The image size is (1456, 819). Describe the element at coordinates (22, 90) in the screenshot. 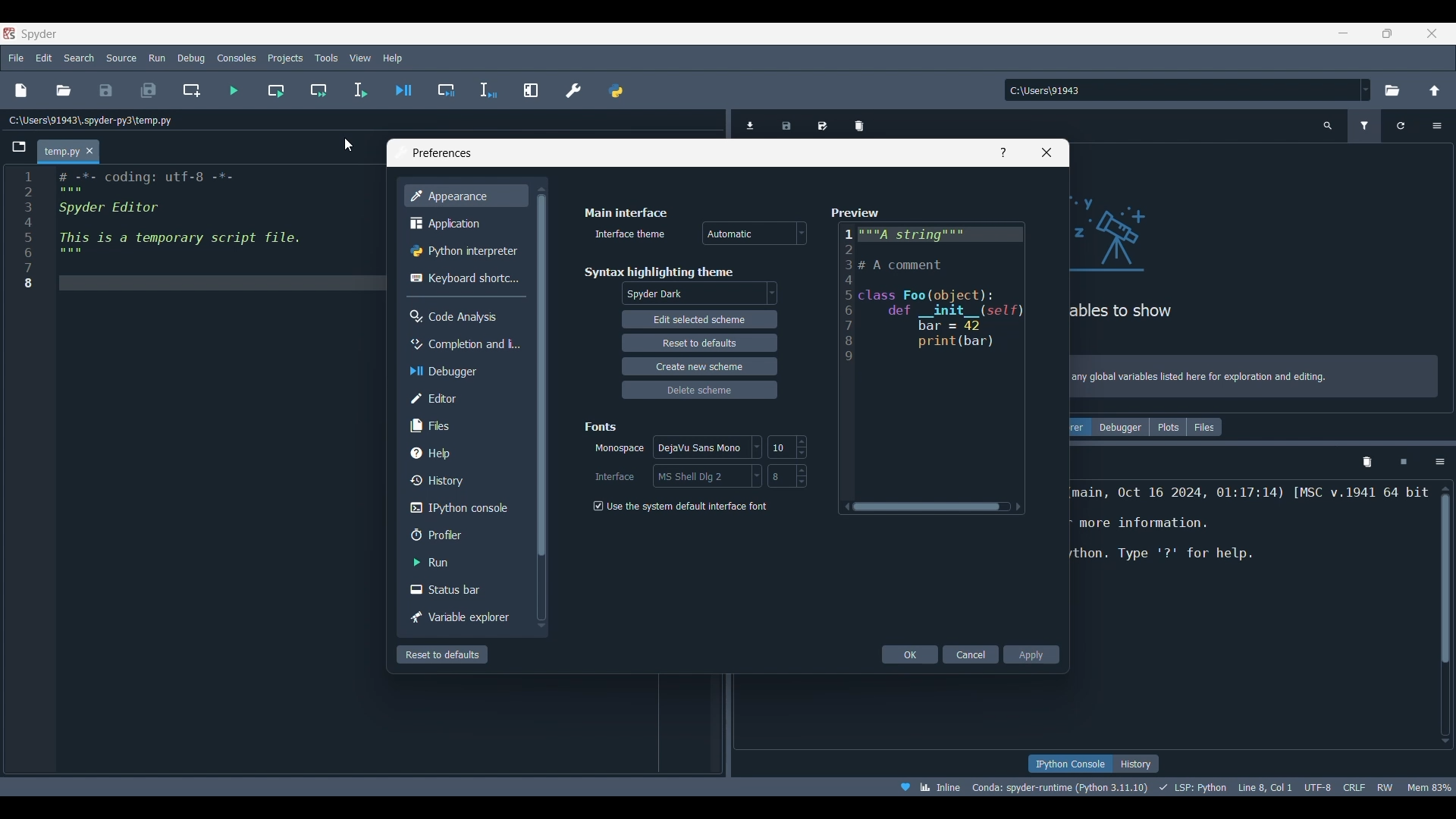

I see `New file` at that location.